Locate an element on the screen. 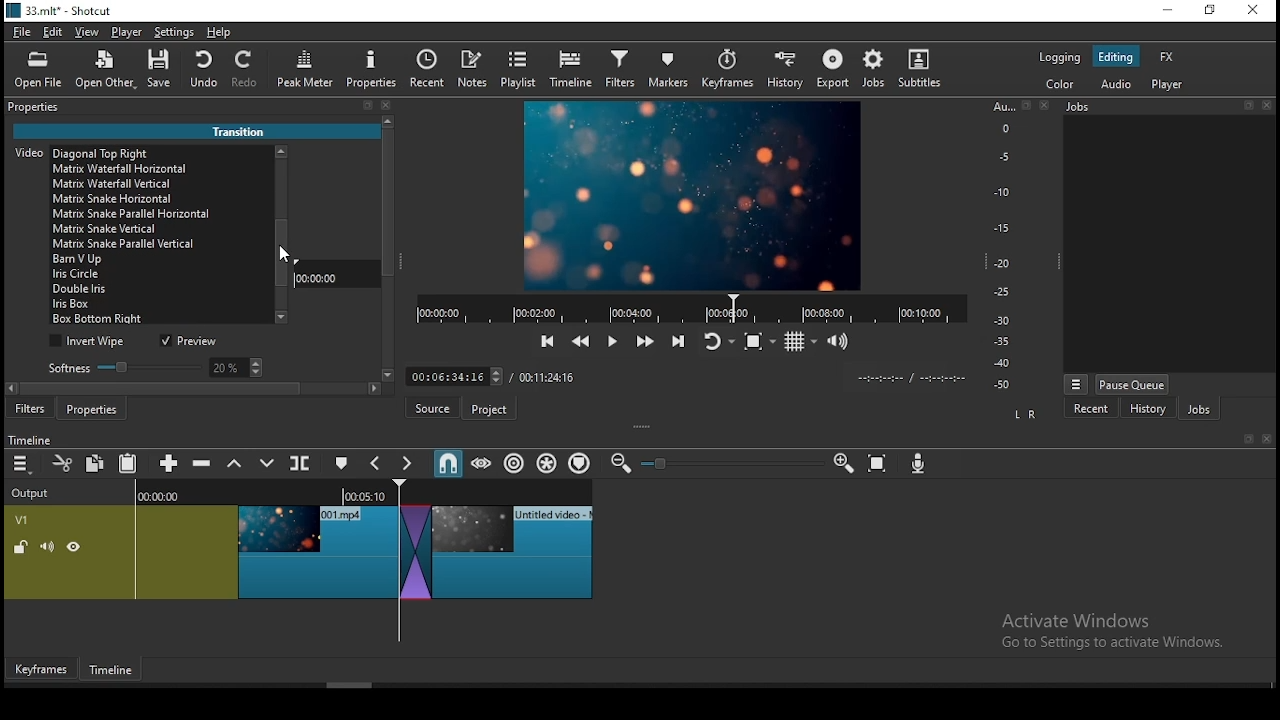  pause queue is located at coordinates (1131, 384).